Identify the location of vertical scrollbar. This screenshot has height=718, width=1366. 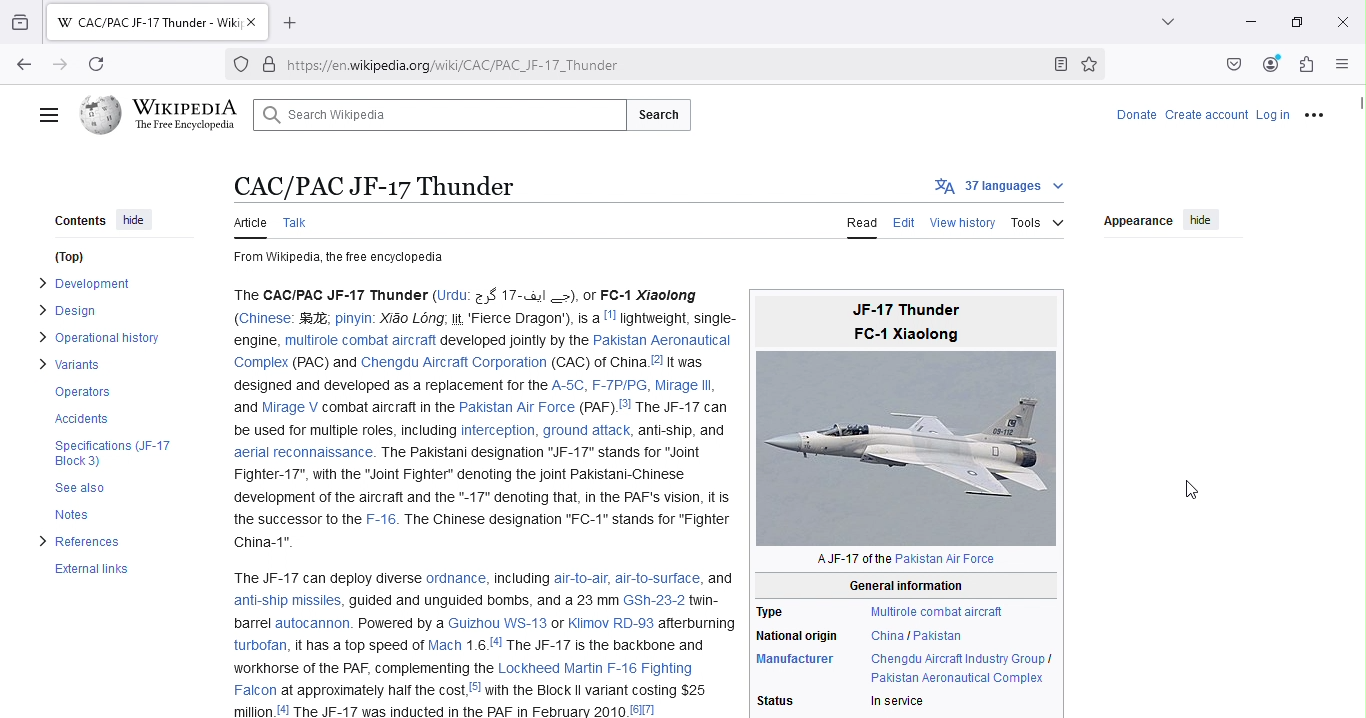
(1357, 106).